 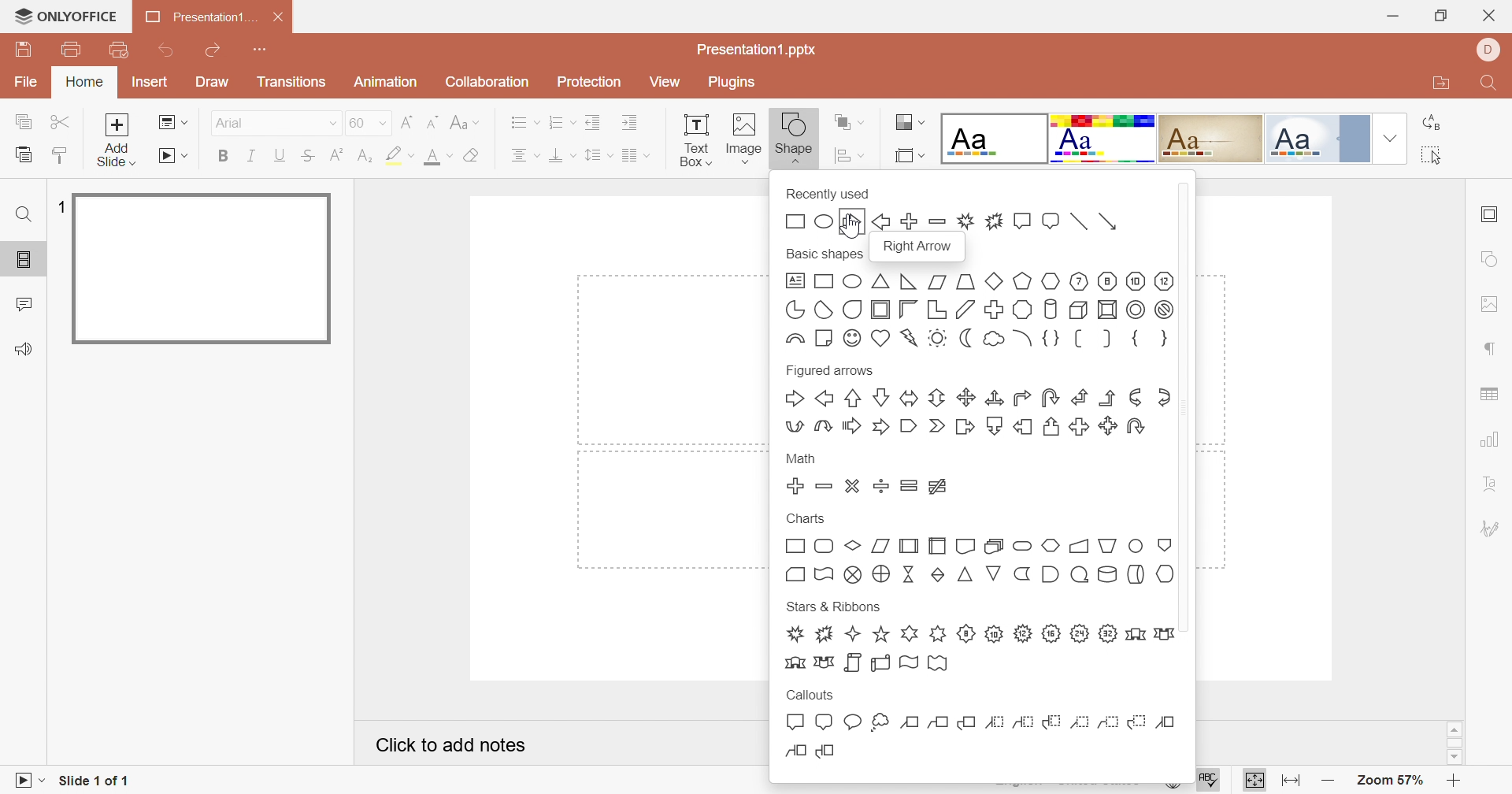 I want to click on Change case, so click(x=463, y=123).